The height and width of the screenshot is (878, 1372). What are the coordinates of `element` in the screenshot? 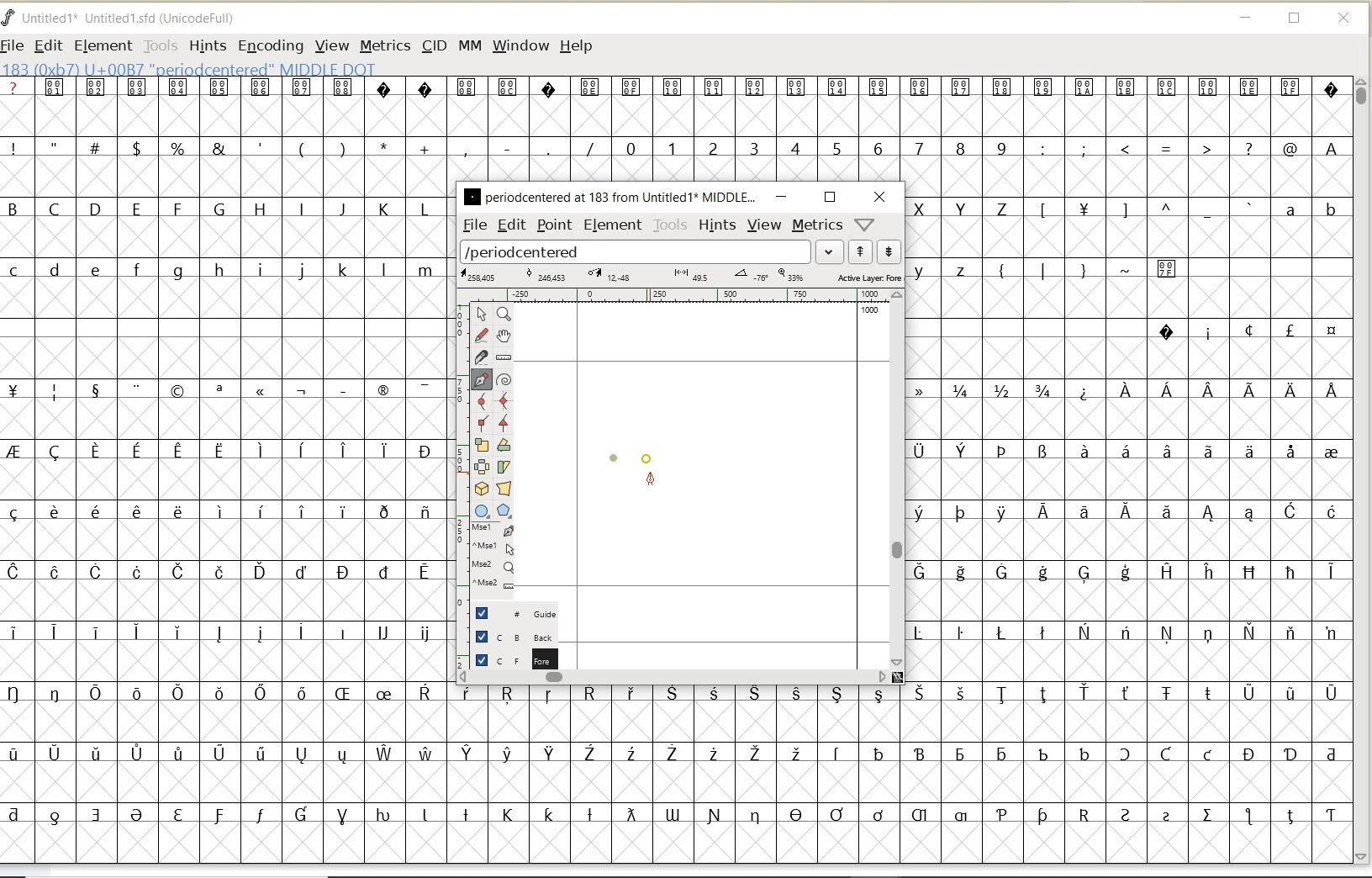 It's located at (610, 225).